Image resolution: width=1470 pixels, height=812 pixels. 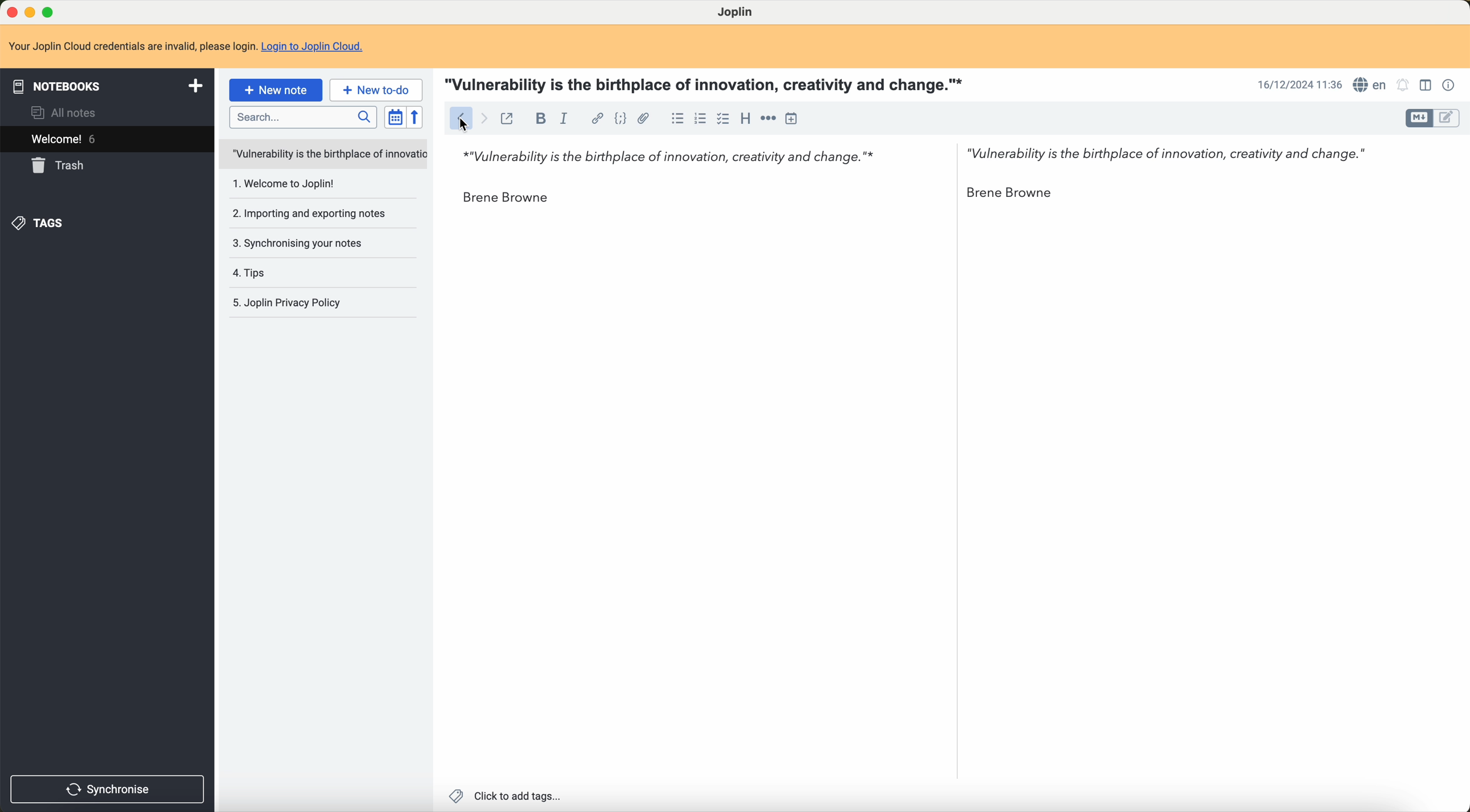 What do you see at coordinates (298, 242) in the screenshot?
I see `synchronising your notes` at bounding box center [298, 242].